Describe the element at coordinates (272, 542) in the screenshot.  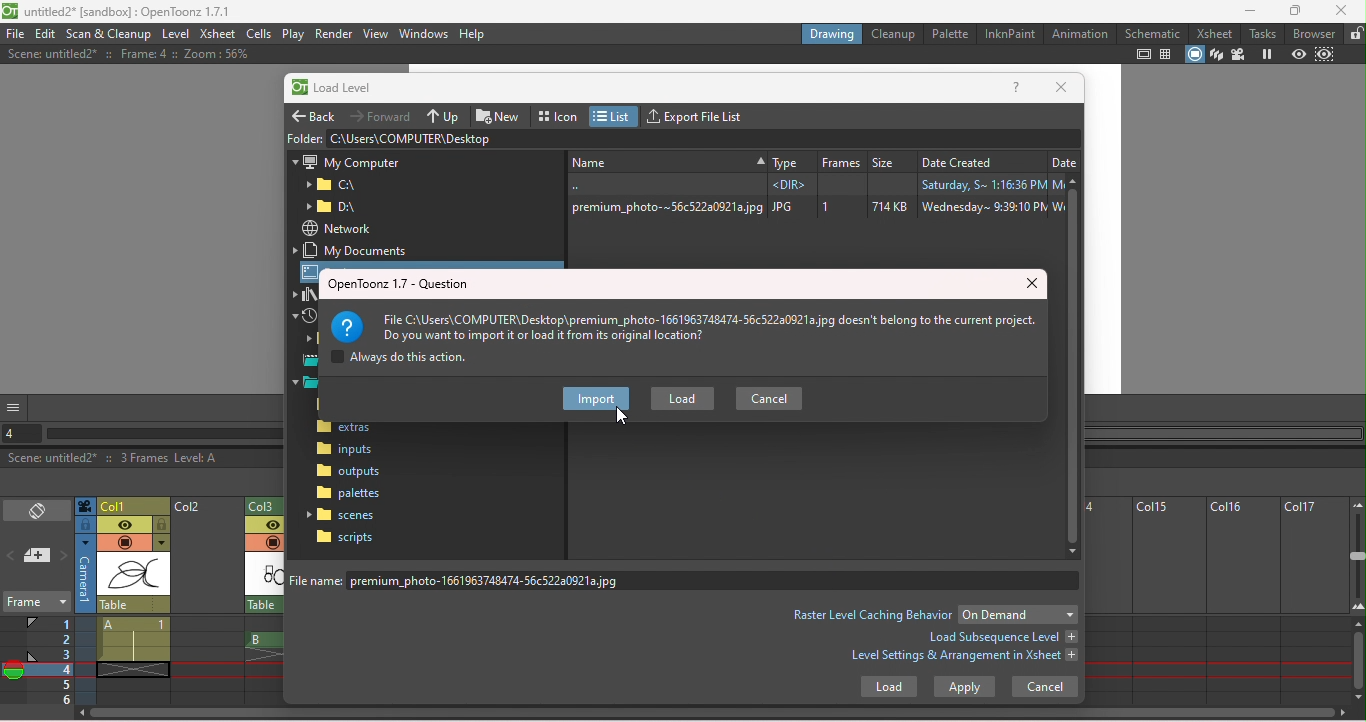
I see `camera stand visibility toggle` at that location.